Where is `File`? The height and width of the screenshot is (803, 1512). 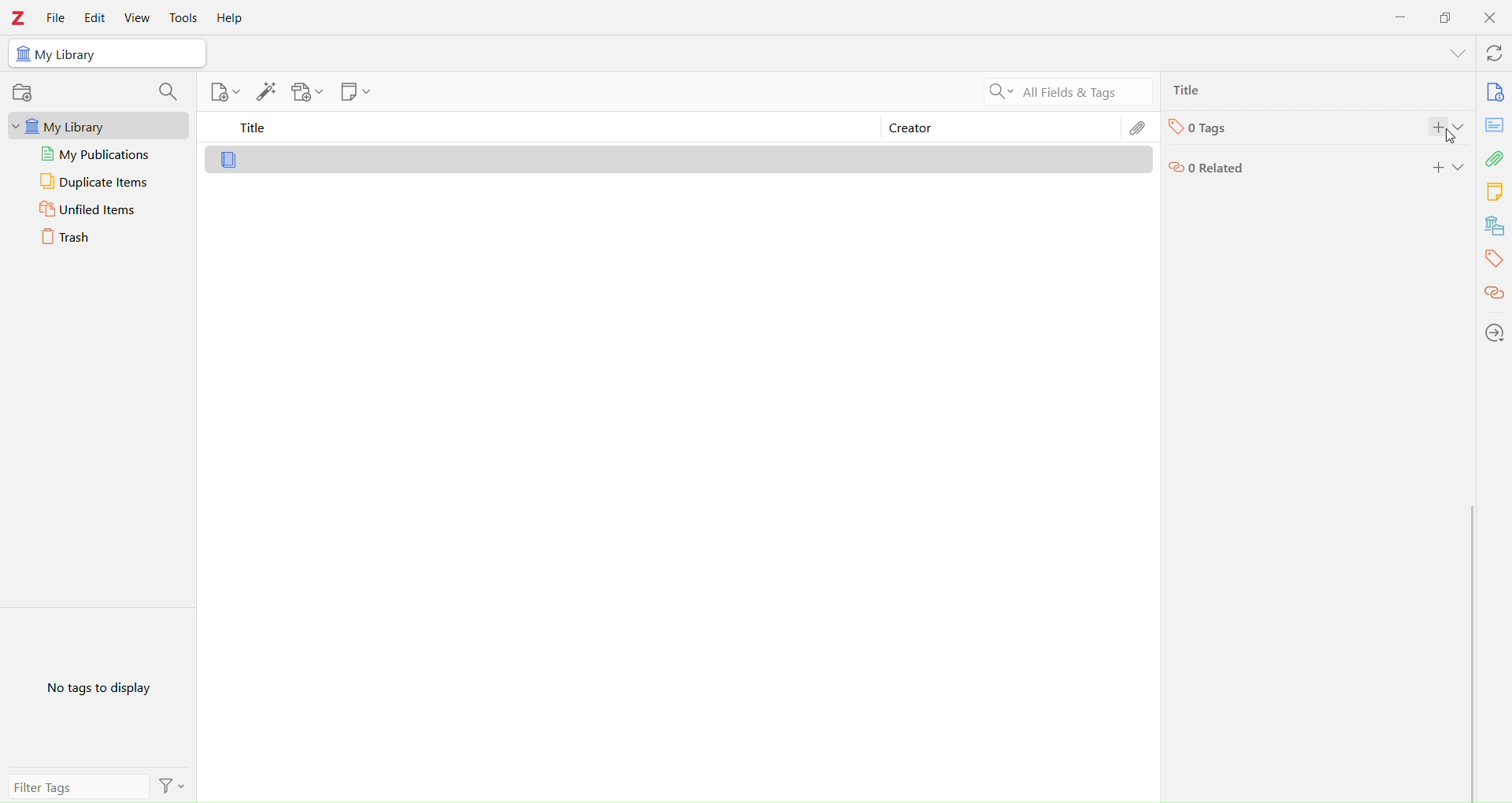
File is located at coordinates (52, 14).